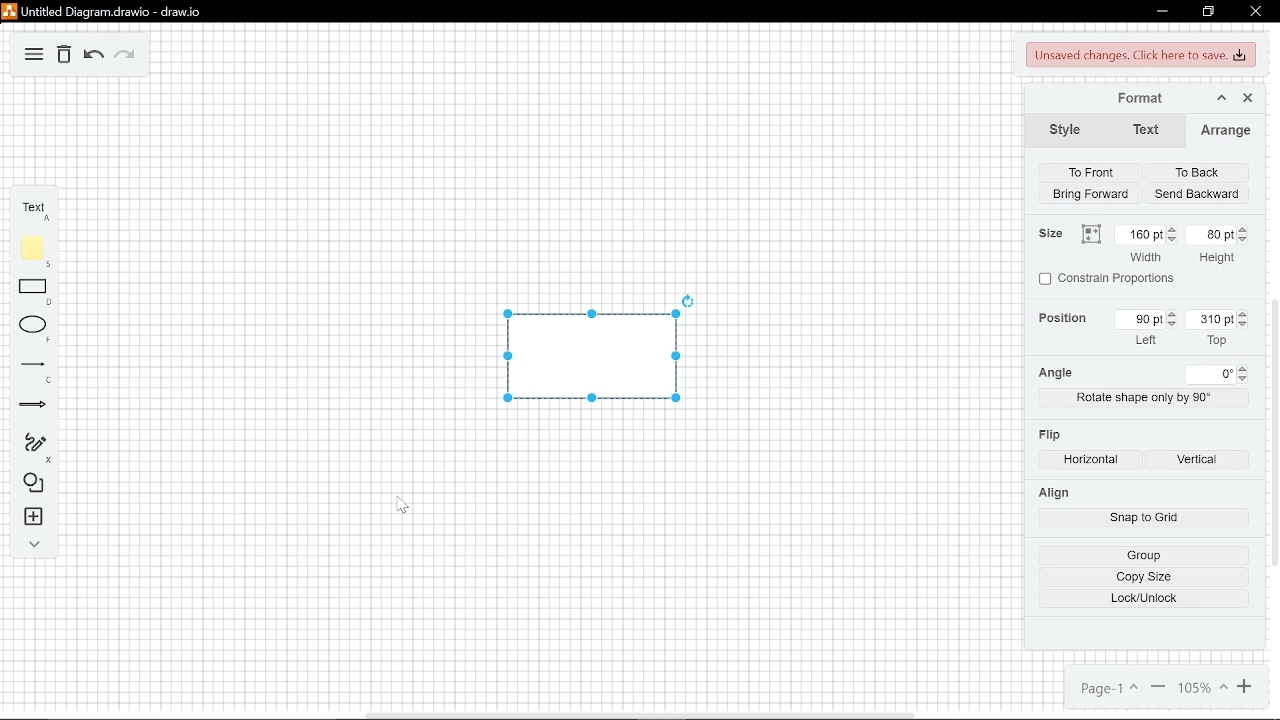 The height and width of the screenshot is (720, 1280). Describe the element at coordinates (1158, 685) in the screenshot. I see `zoom out` at that location.